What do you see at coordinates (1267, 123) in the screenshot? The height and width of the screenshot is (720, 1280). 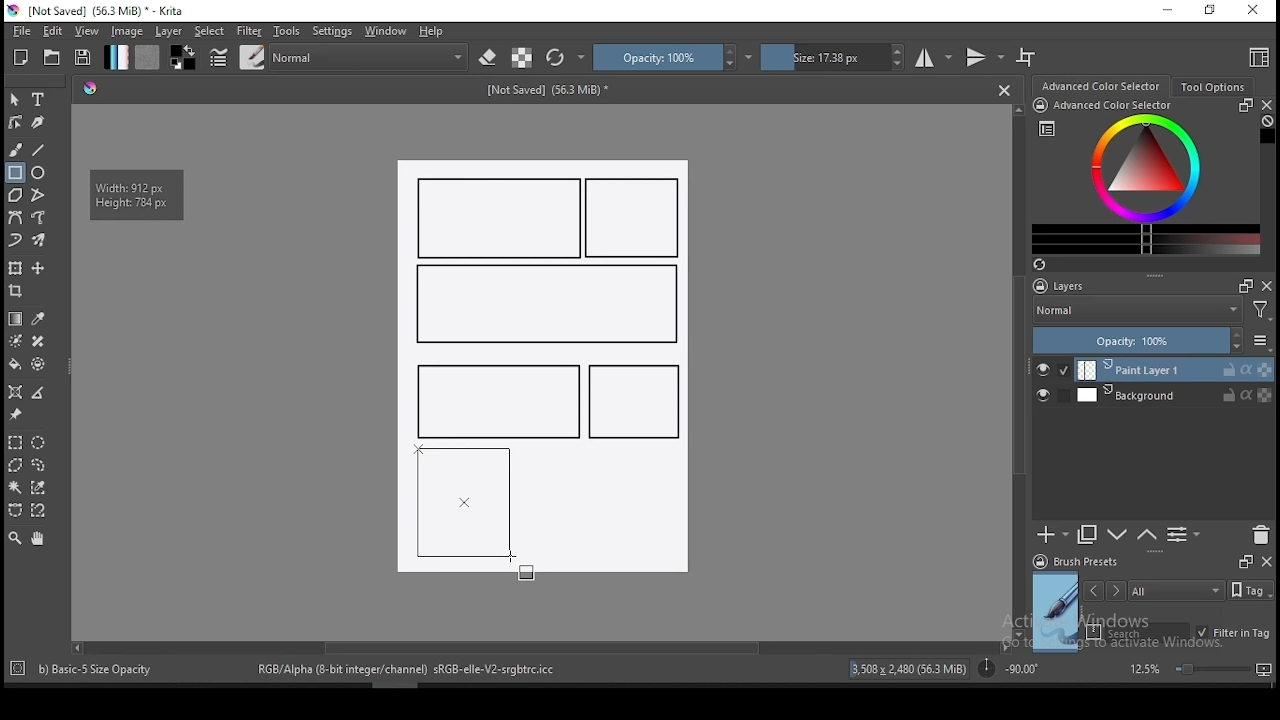 I see `Clear` at bounding box center [1267, 123].